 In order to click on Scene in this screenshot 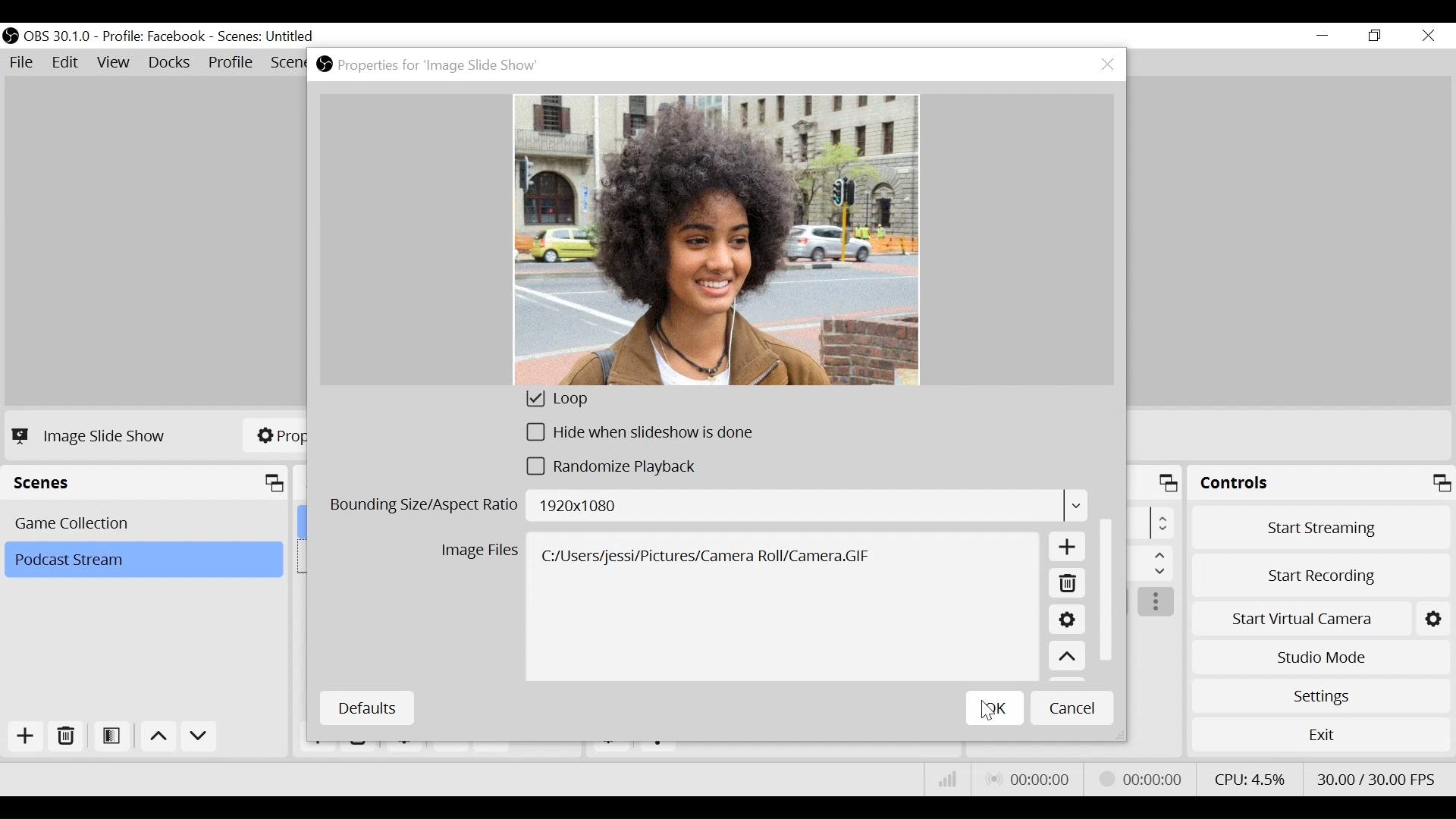, I will do `click(146, 522)`.